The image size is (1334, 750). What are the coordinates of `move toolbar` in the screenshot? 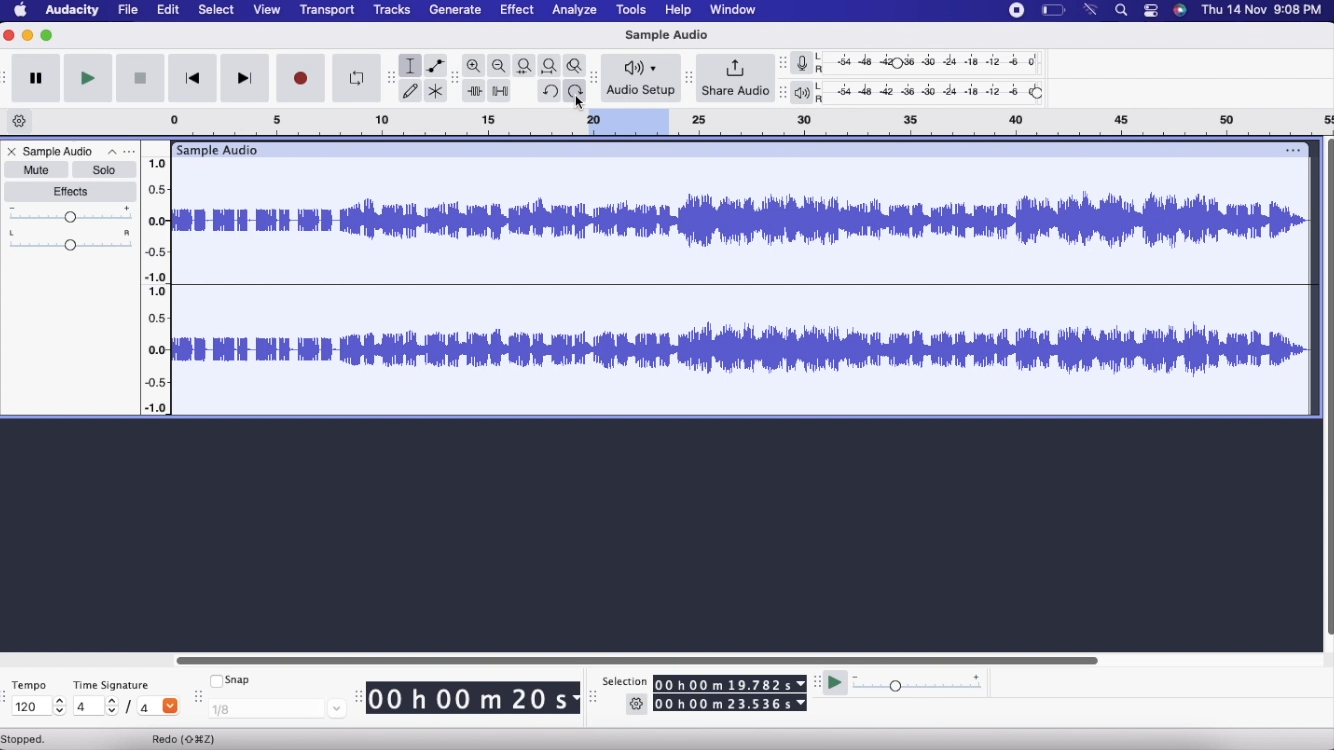 It's located at (784, 64).